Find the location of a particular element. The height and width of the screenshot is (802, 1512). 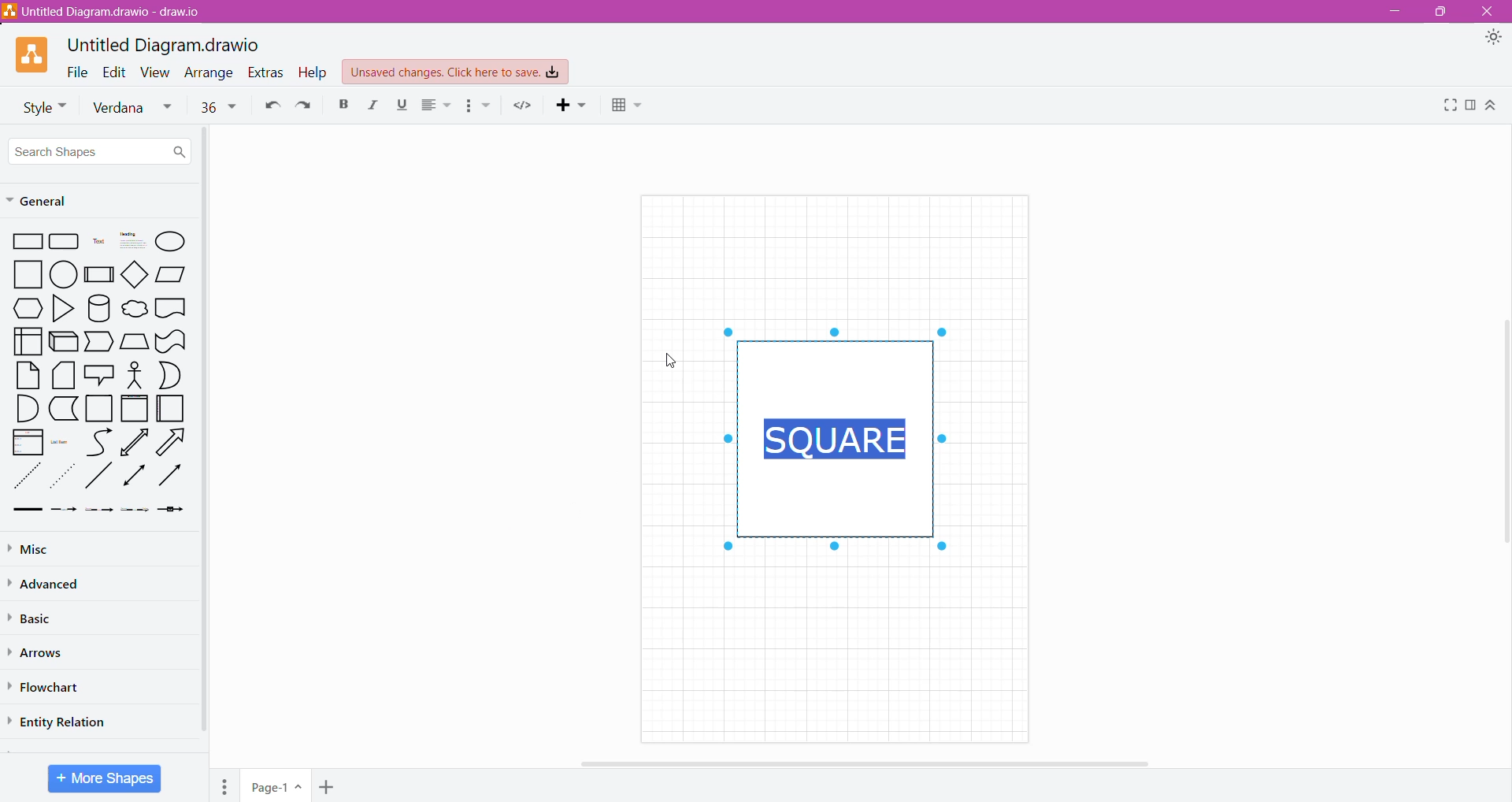

Right Diagonal Arrow  is located at coordinates (172, 443).